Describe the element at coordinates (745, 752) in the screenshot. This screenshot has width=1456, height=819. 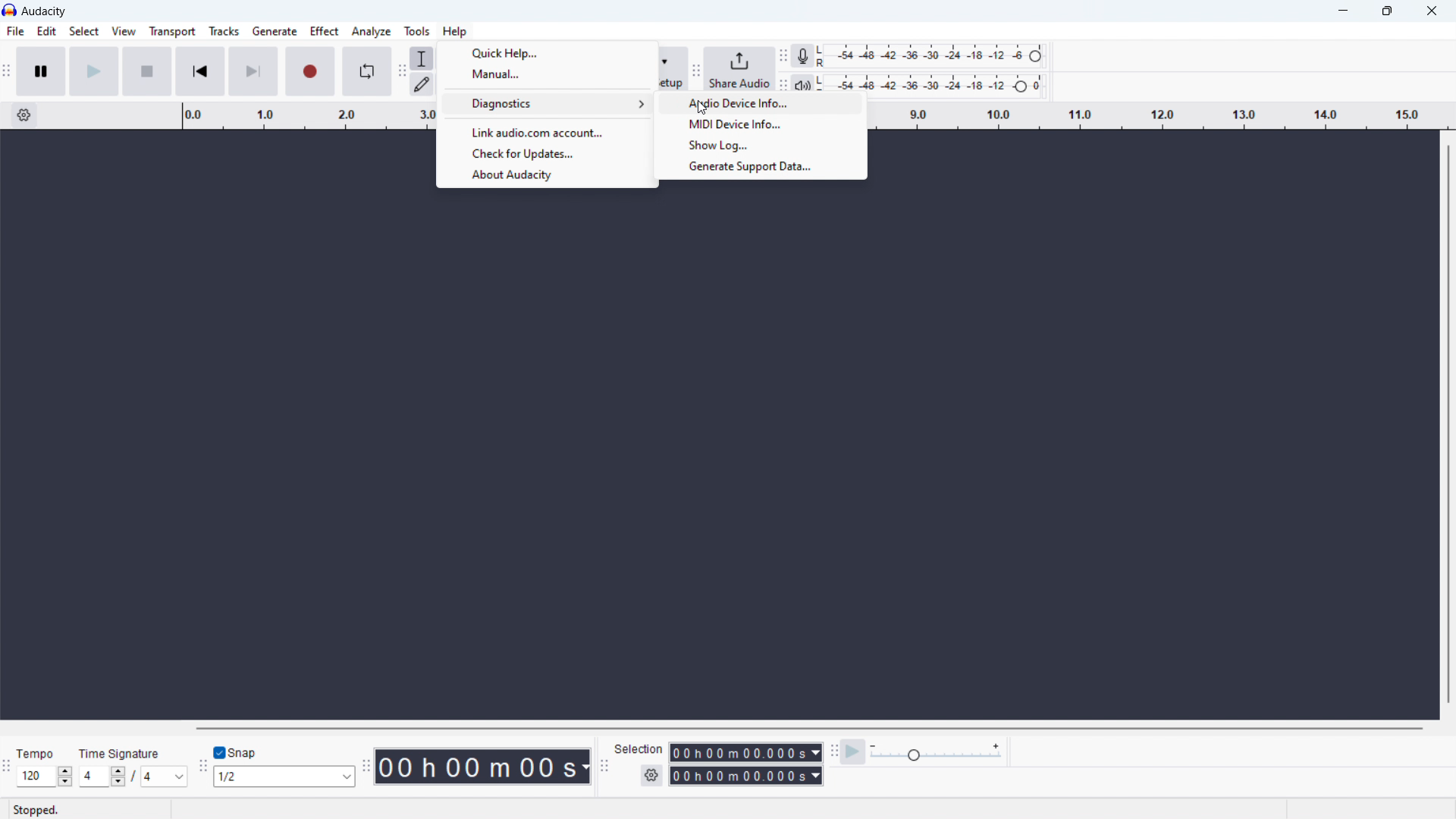
I see `selection start` at that location.